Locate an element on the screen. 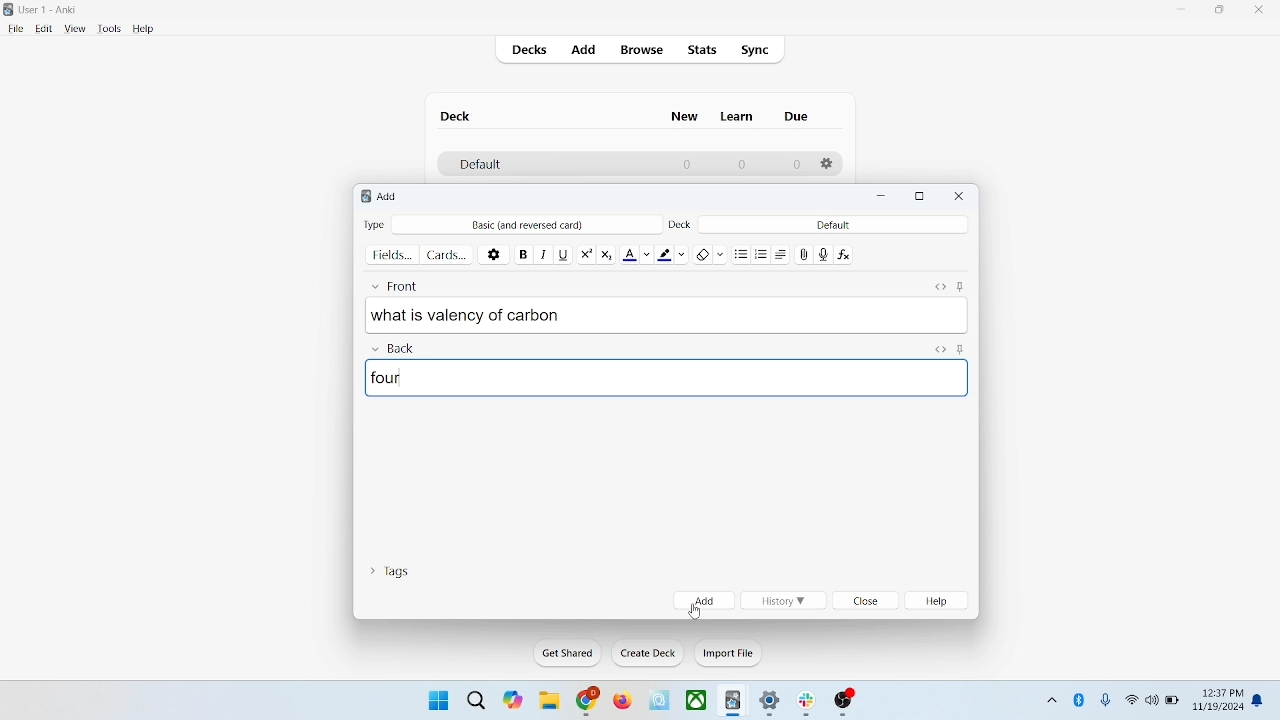 This screenshot has height=720, width=1280. bold is located at coordinates (522, 252).